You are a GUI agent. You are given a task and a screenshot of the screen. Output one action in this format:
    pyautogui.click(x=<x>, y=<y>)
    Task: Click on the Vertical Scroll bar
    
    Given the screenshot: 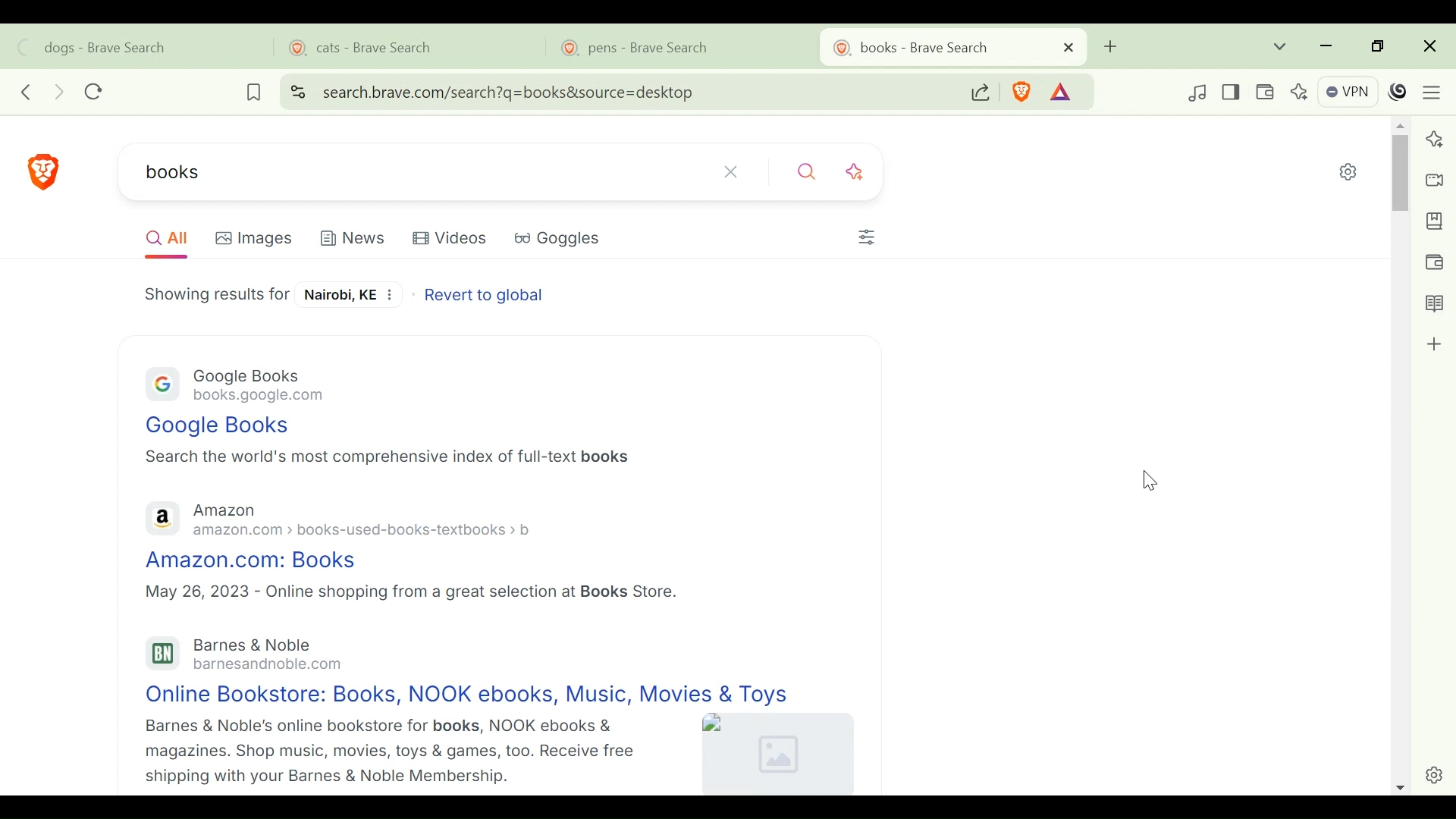 What is the action you would take?
    pyautogui.click(x=1399, y=174)
    